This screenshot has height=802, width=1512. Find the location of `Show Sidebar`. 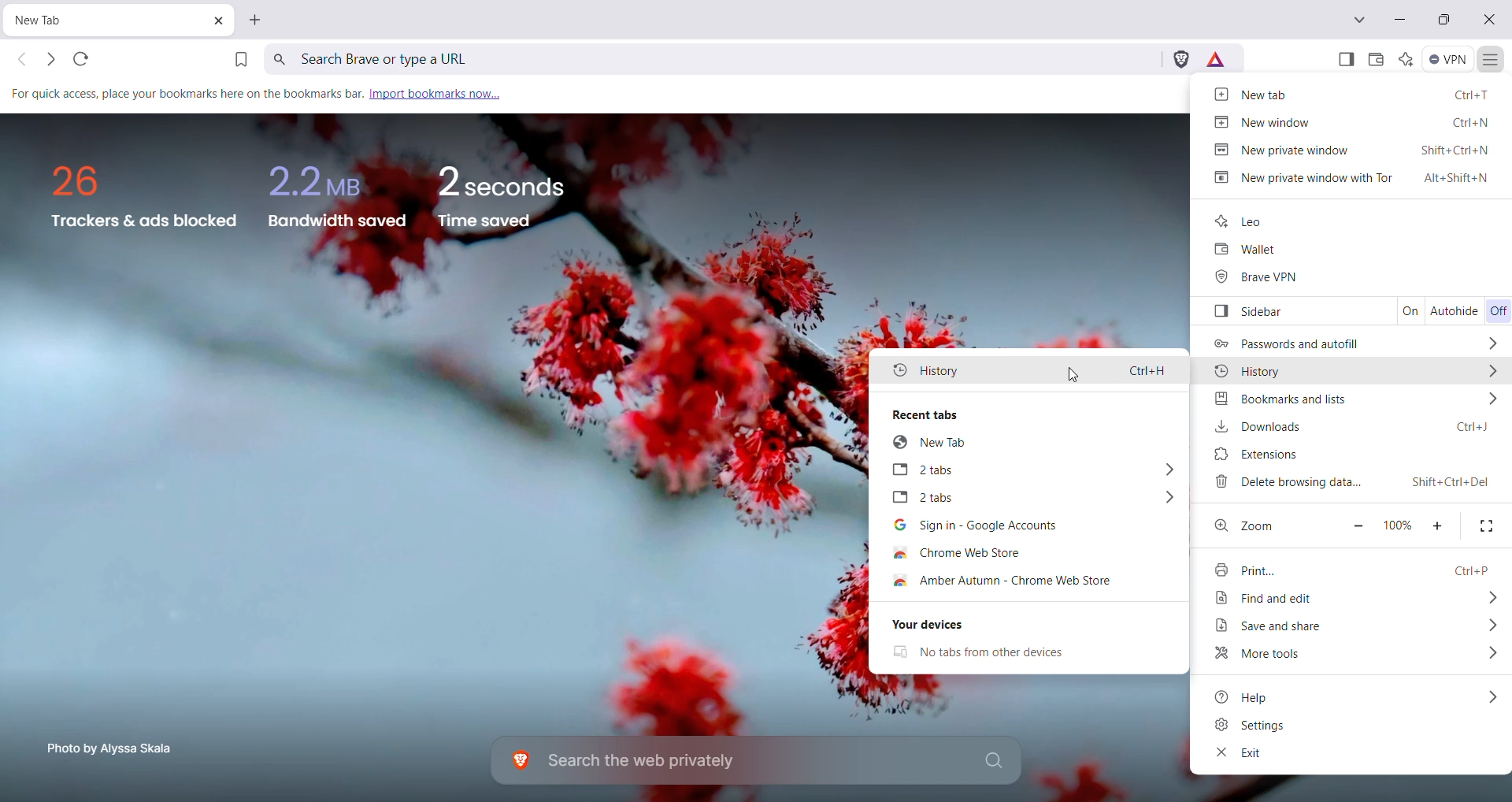

Show Sidebar is located at coordinates (1345, 59).